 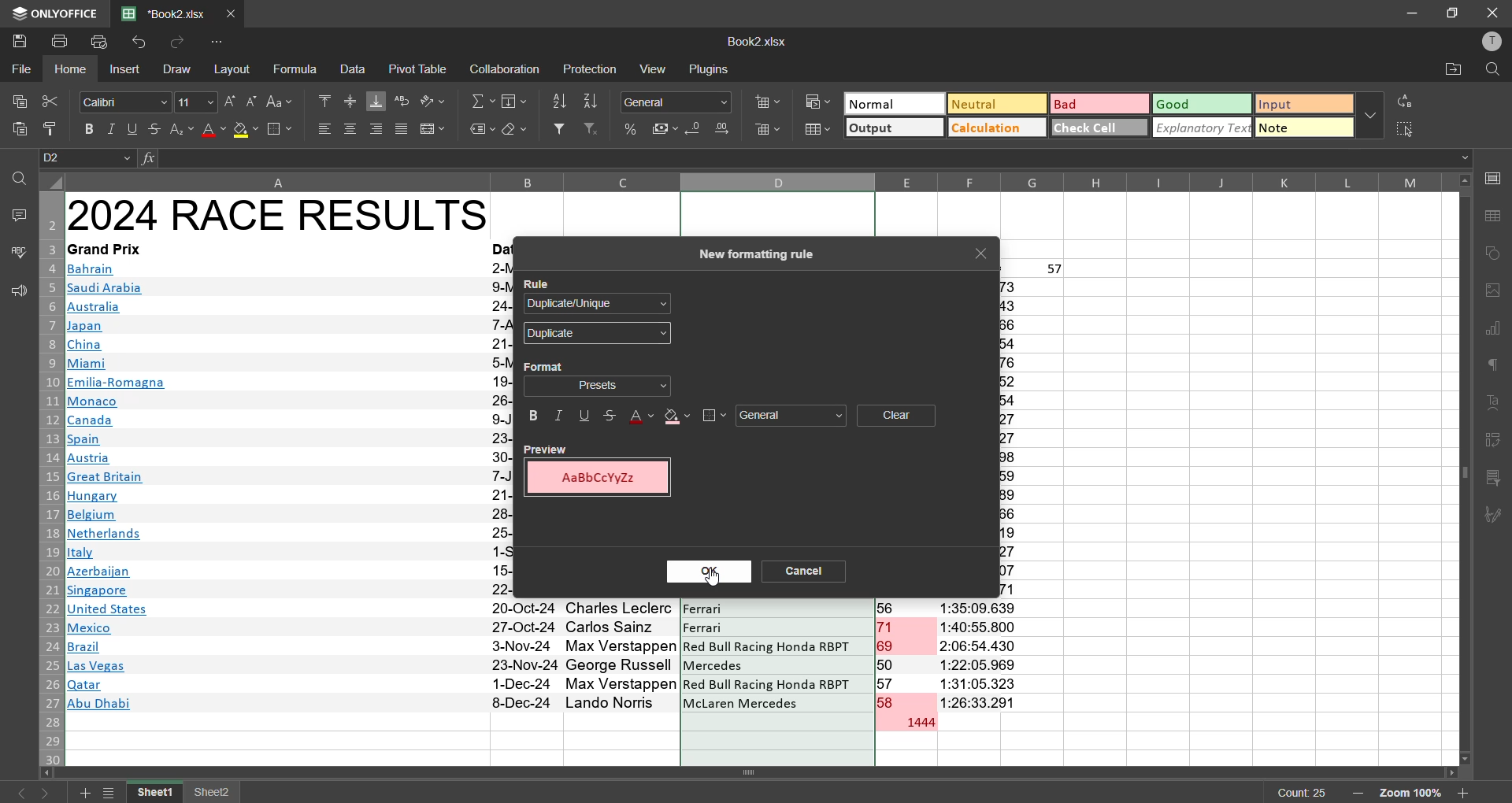 I want to click on underline, so click(x=133, y=128).